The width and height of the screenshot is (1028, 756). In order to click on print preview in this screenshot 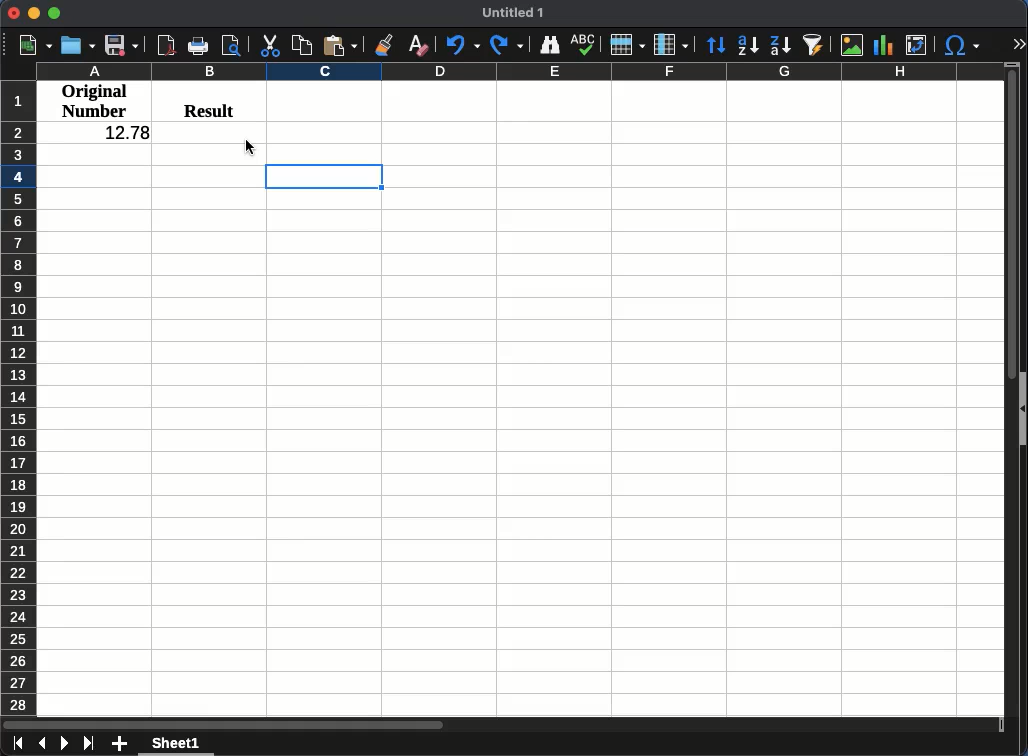, I will do `click(233, 47)`.